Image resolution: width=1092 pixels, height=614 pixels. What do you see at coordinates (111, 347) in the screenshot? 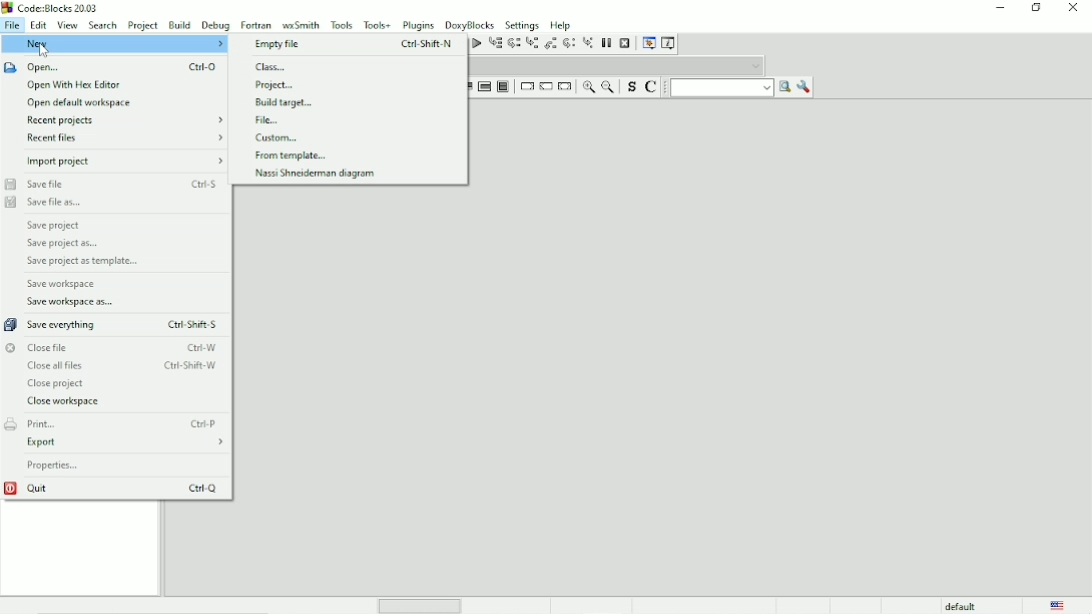
I see `Close file` at bounding box center [111, 347].